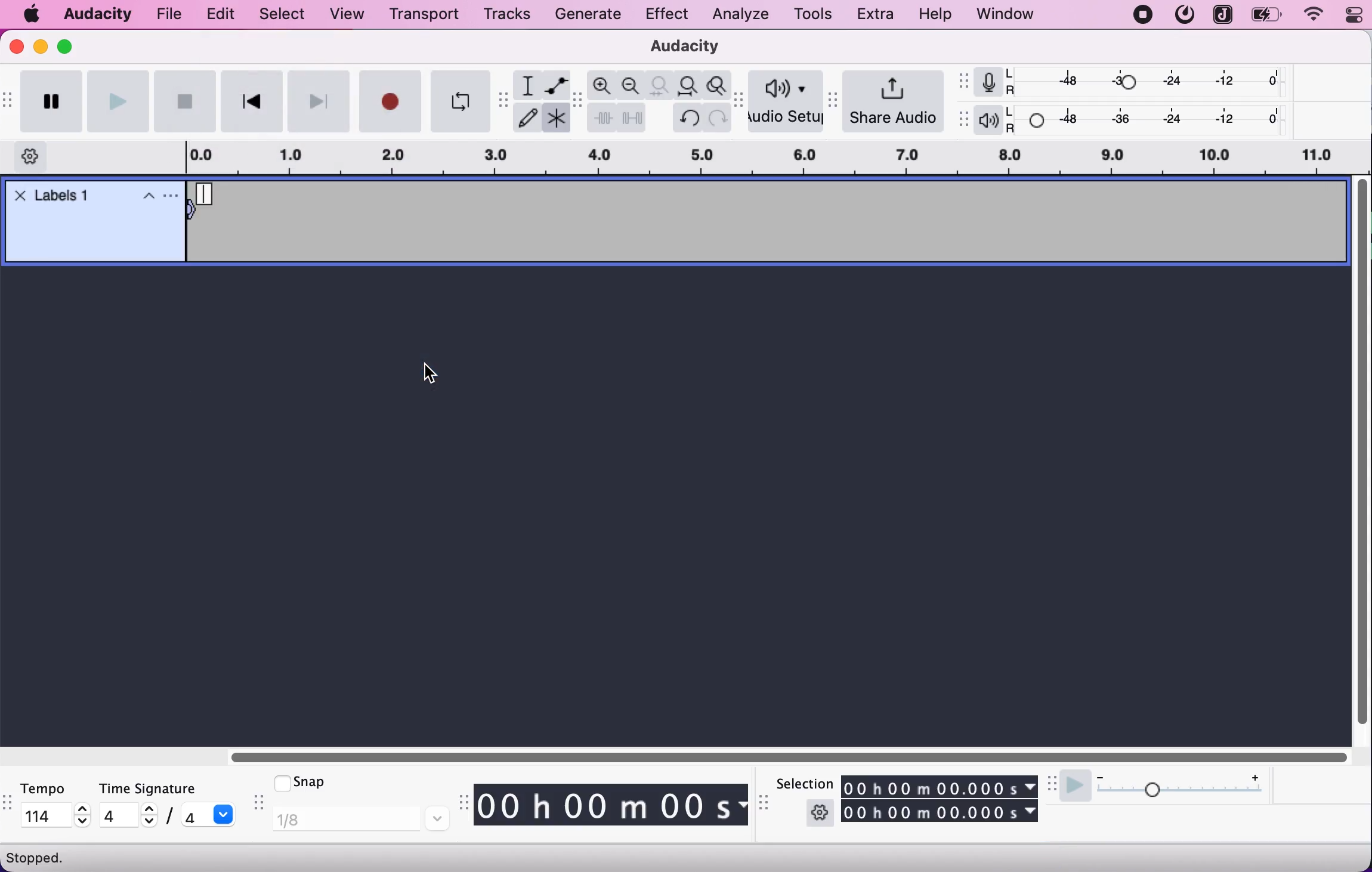  Describe the element at coordinates (715, 158) in the screenshot. I see `record duration` at that location.